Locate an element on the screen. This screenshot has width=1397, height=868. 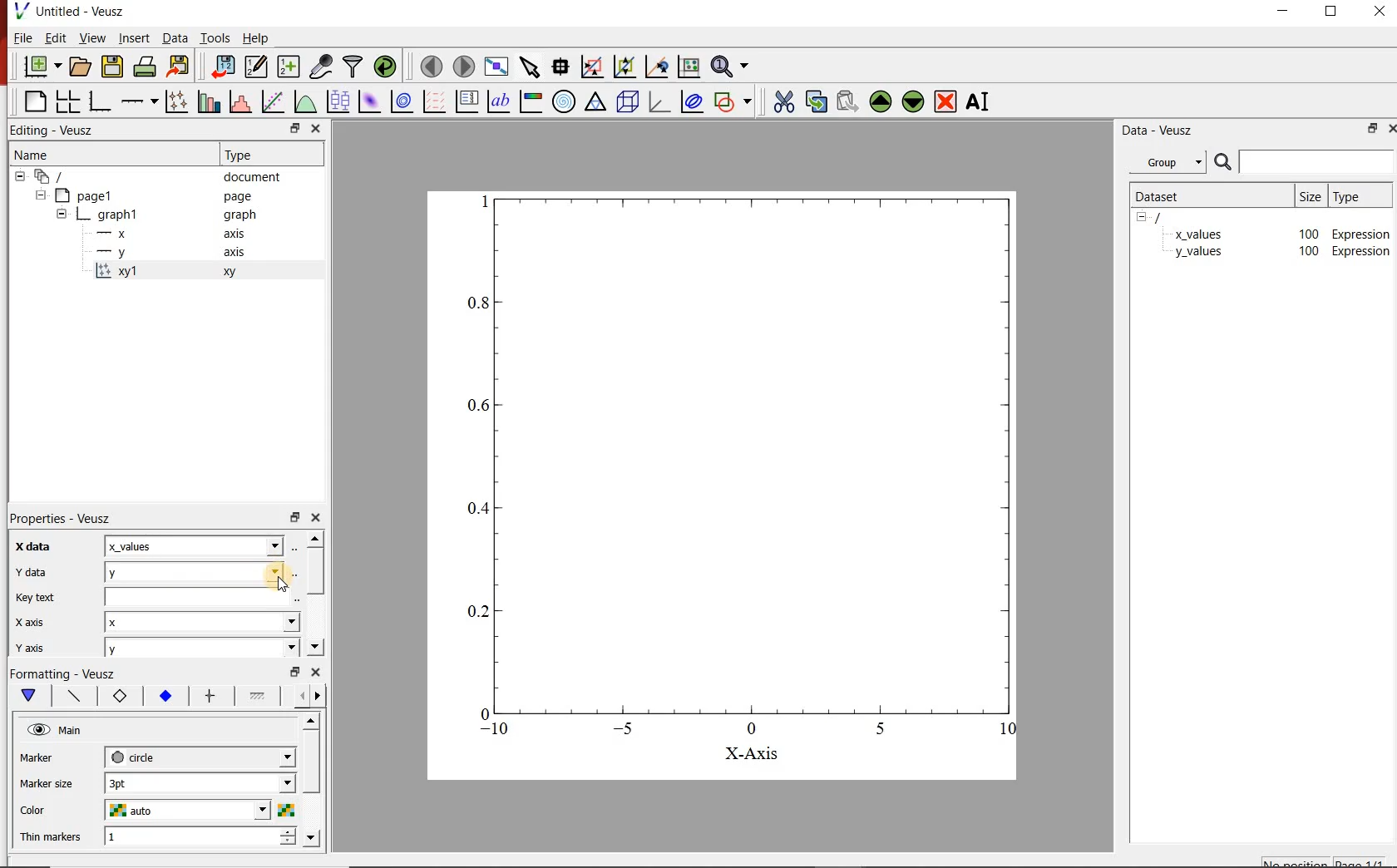
Expression is located at coordinates (1362, 232).